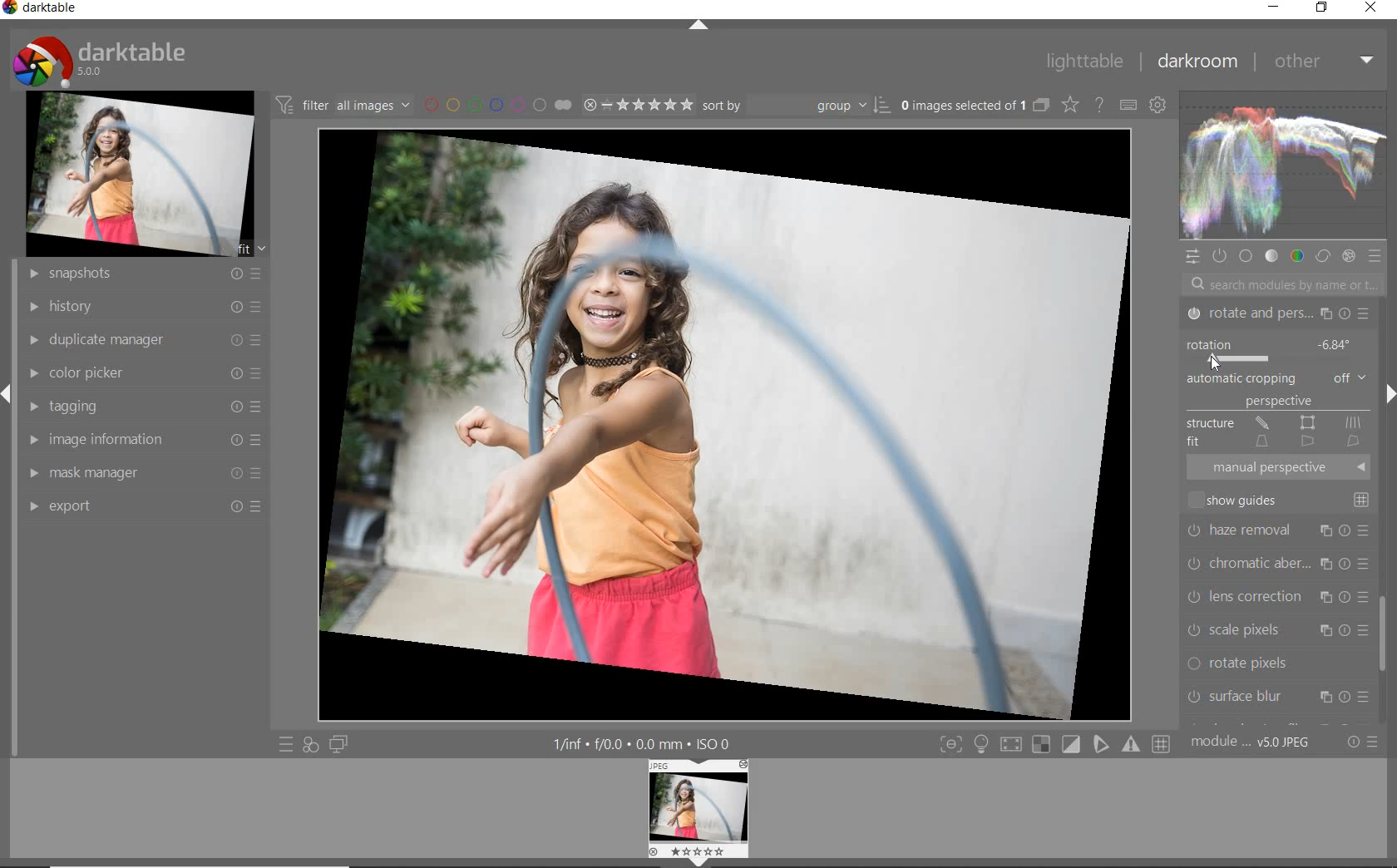  I want to click on filter images, so click(343, 104).